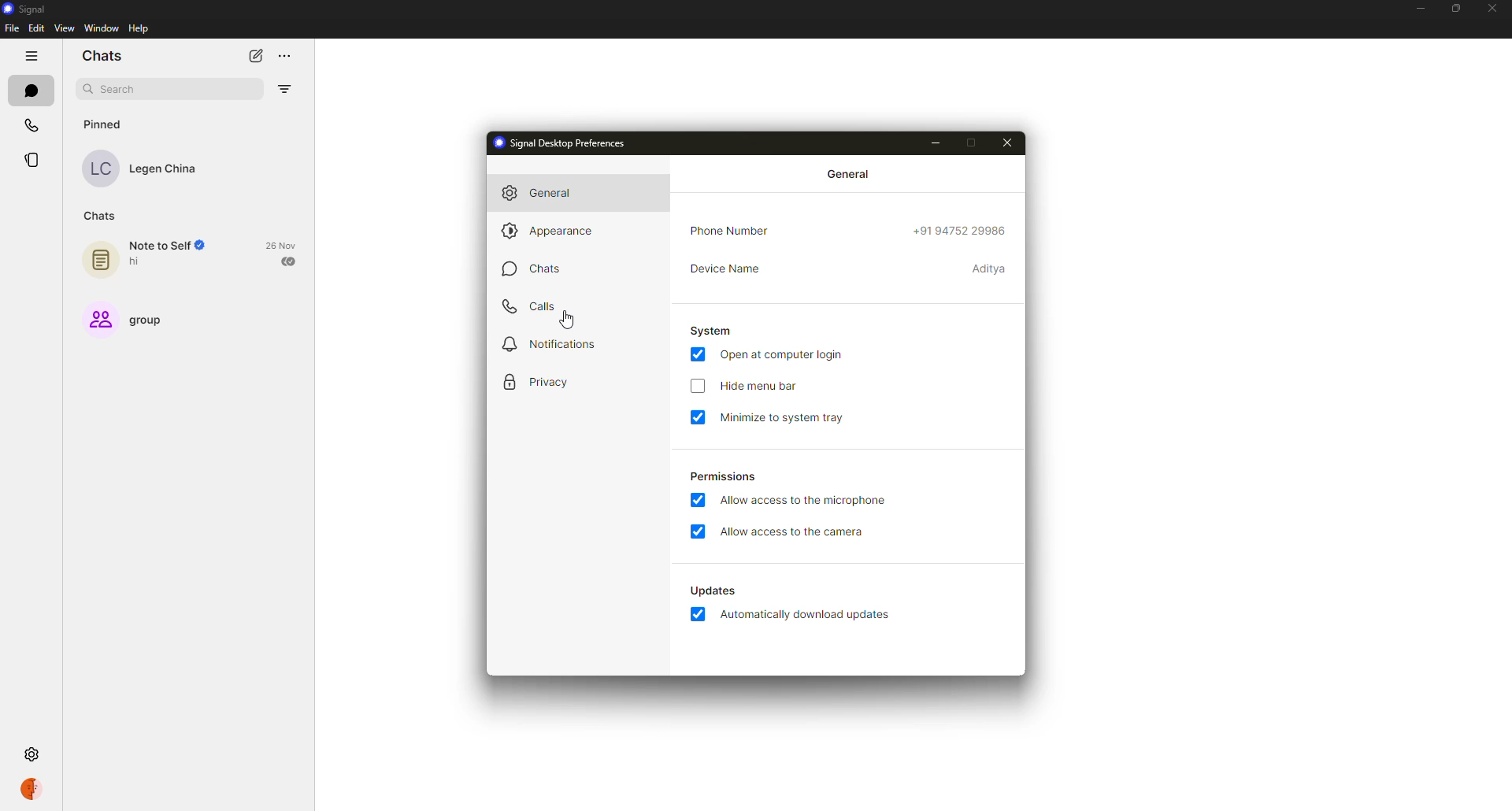  What do you see at coordinates (169, 246) in the screenshot?
I see `Note to Self` at bounding box center [169, 246].